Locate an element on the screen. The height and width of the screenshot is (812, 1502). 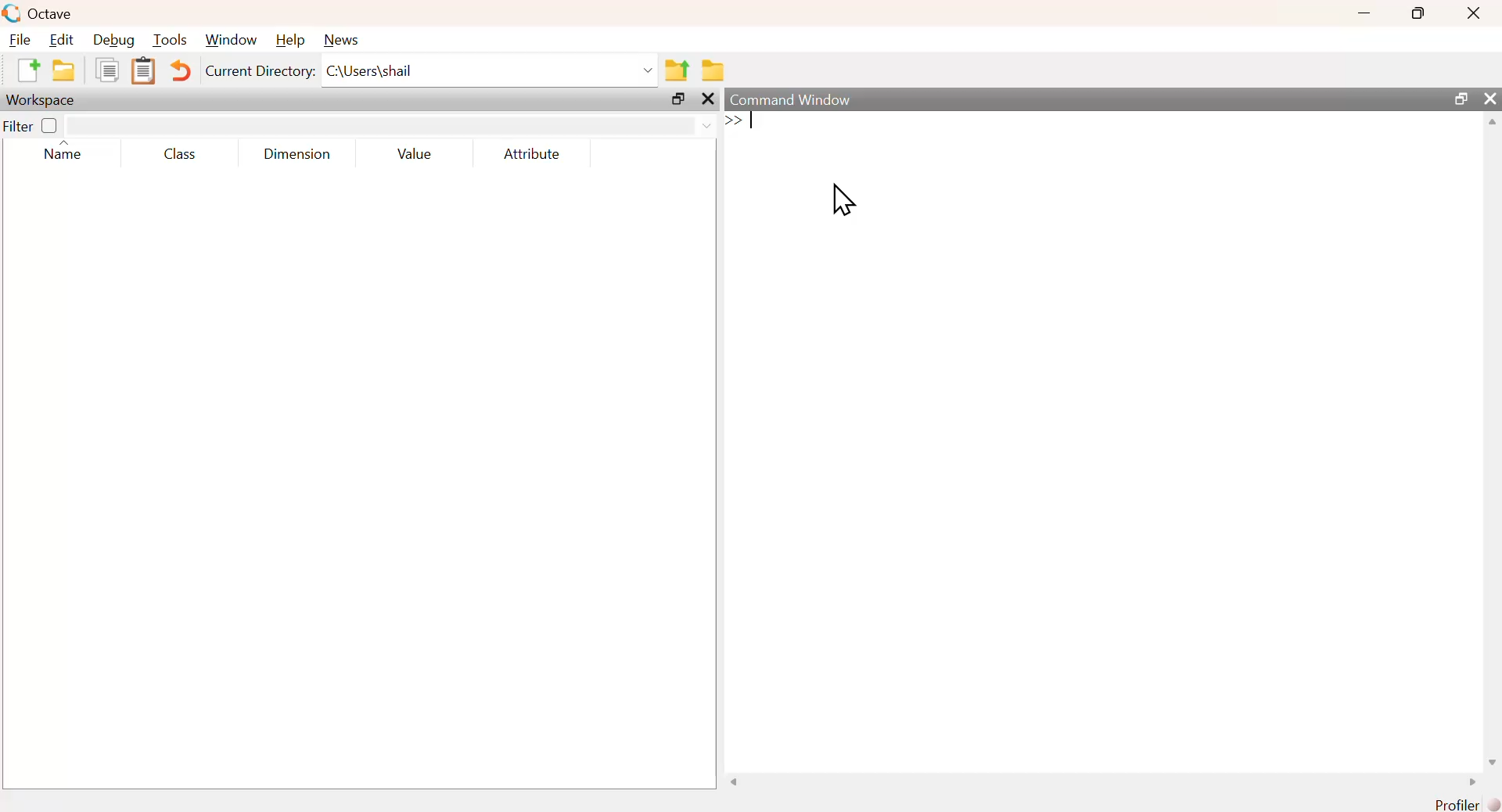
tools is located at coordinates (171, 40).